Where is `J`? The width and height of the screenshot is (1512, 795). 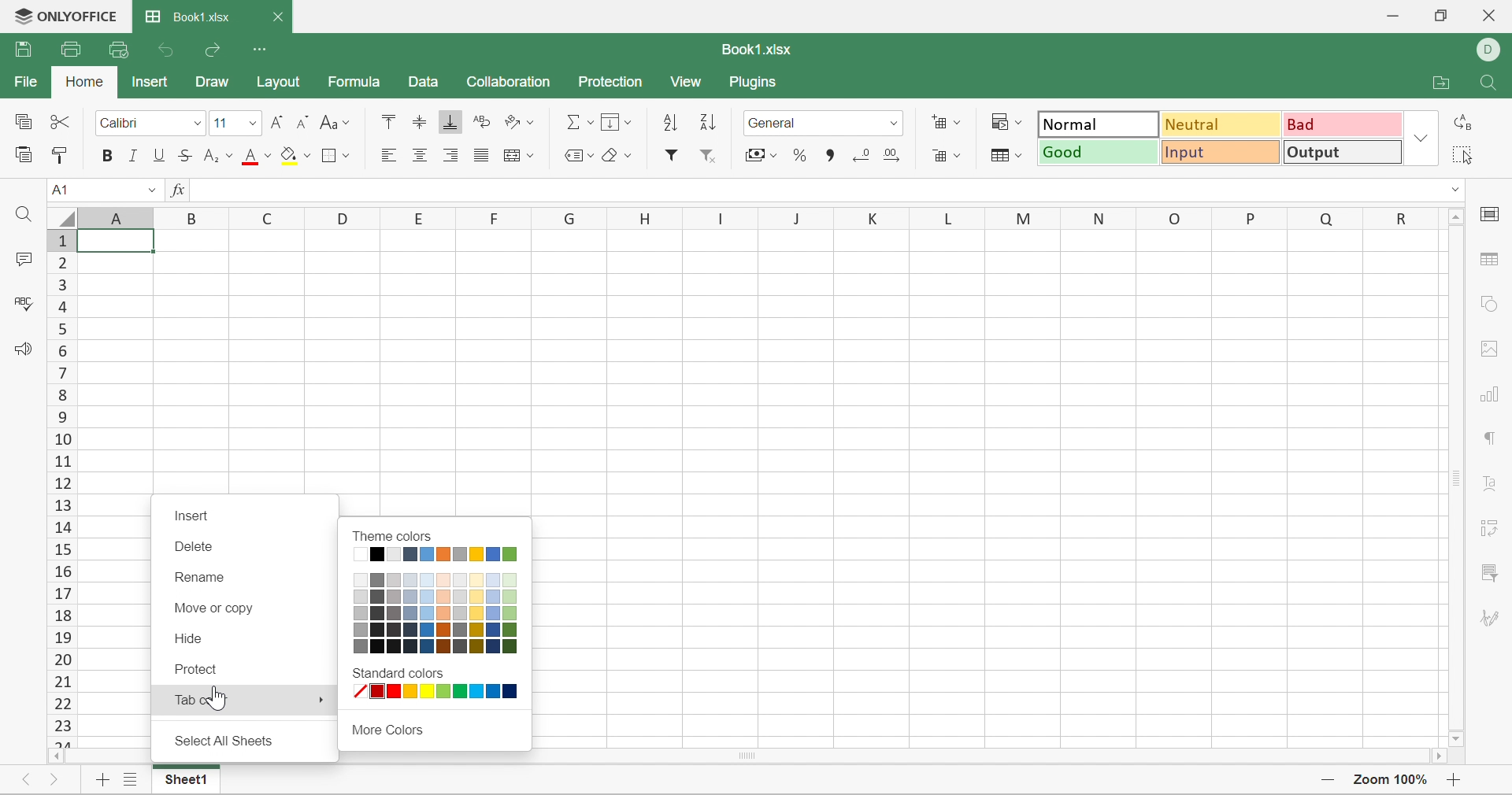 J is located at coordinates (793, 216).